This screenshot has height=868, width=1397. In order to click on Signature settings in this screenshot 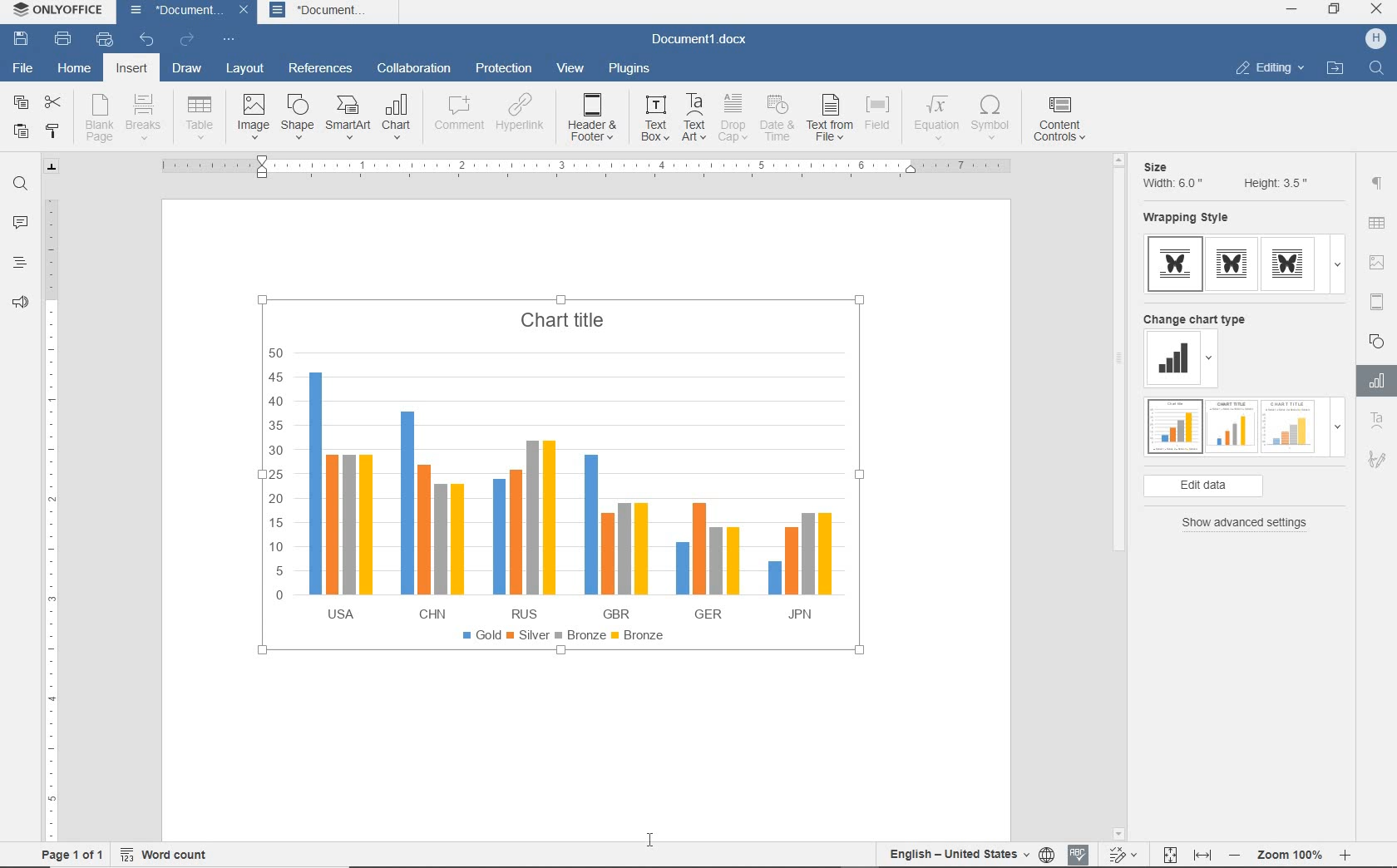, I will do `click(1376, 463)`.